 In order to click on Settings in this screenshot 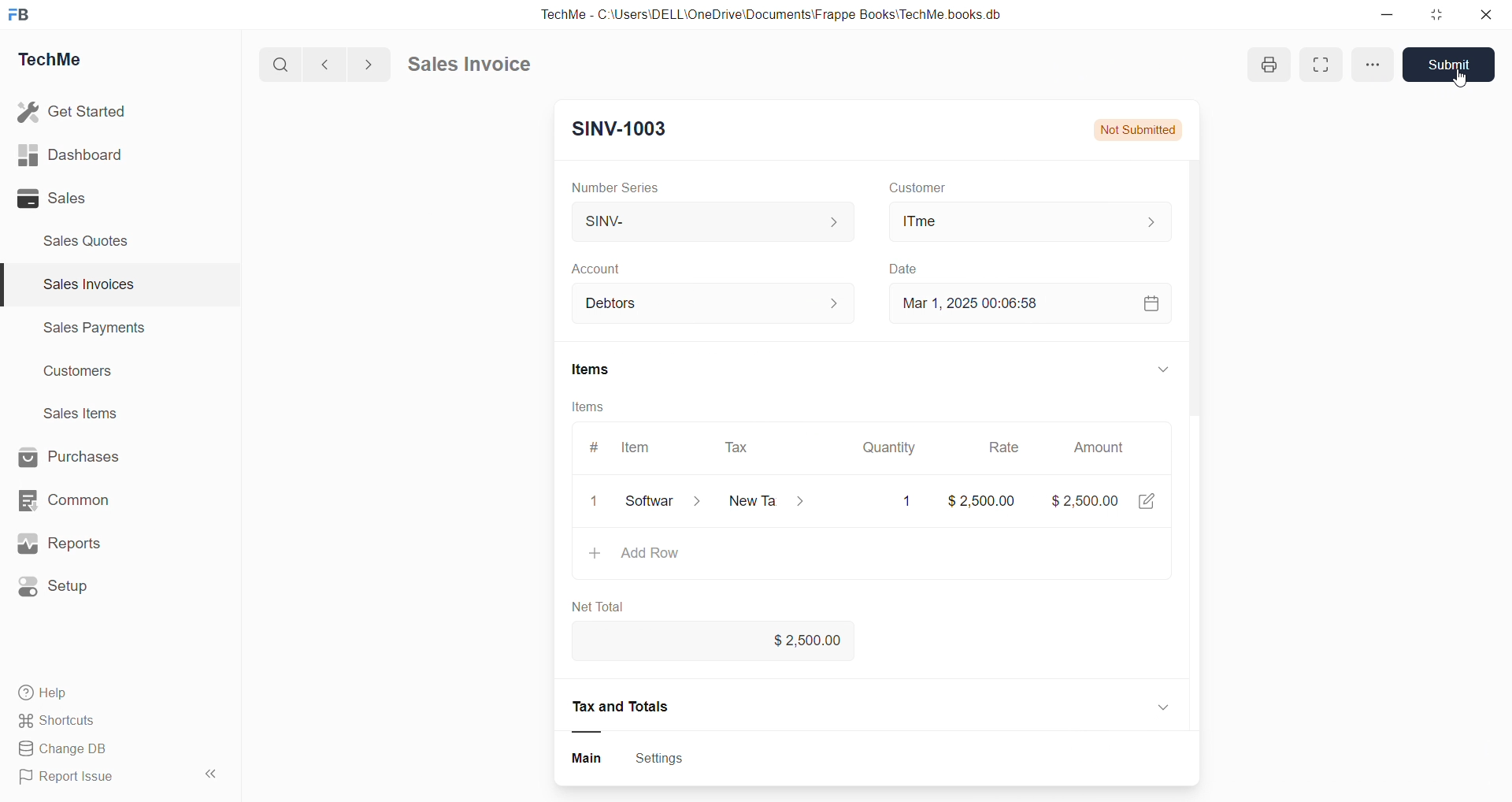, I will do `click(666, 759)`.